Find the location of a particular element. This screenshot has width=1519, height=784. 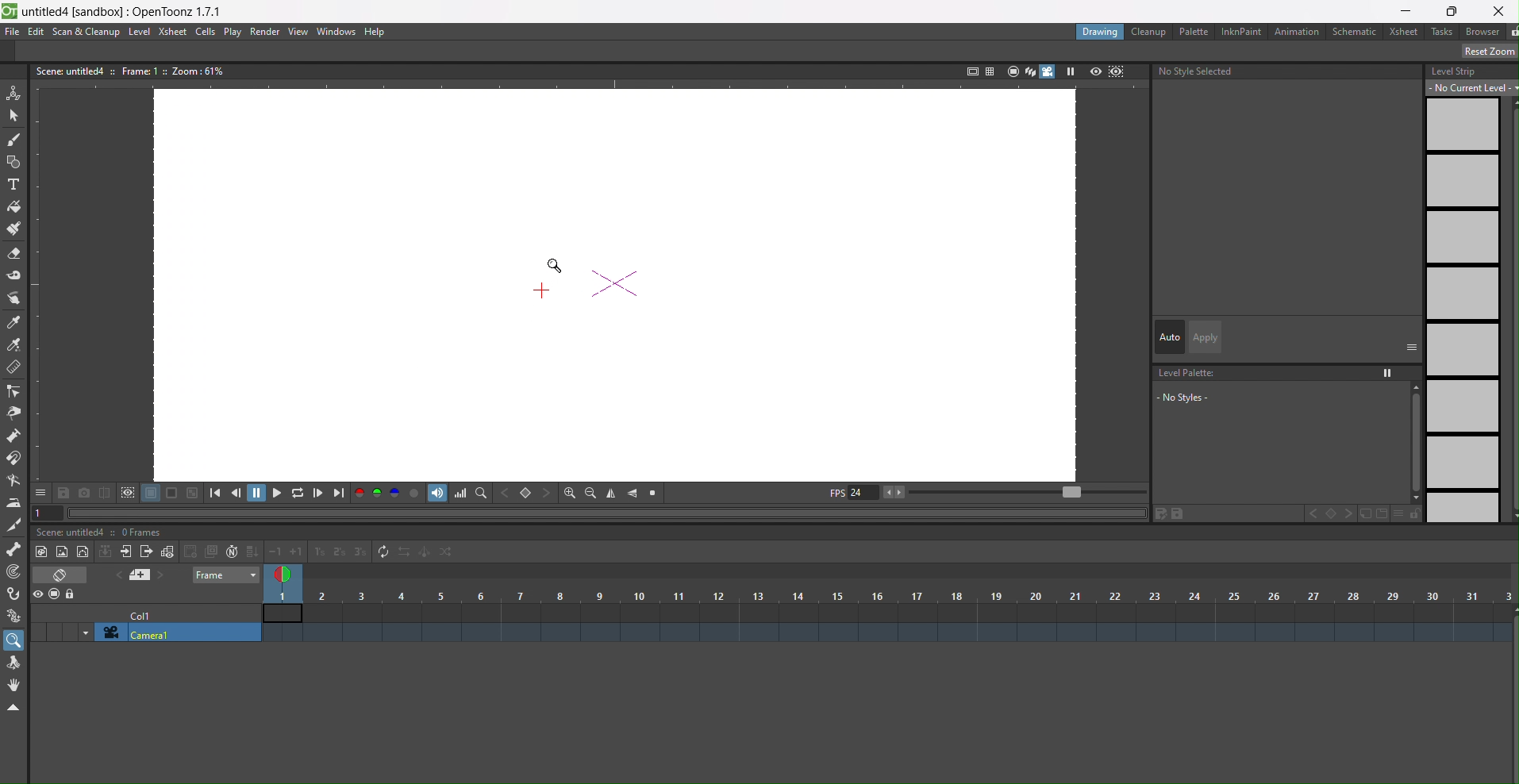

level palette is located at coordinates (1286, 402).